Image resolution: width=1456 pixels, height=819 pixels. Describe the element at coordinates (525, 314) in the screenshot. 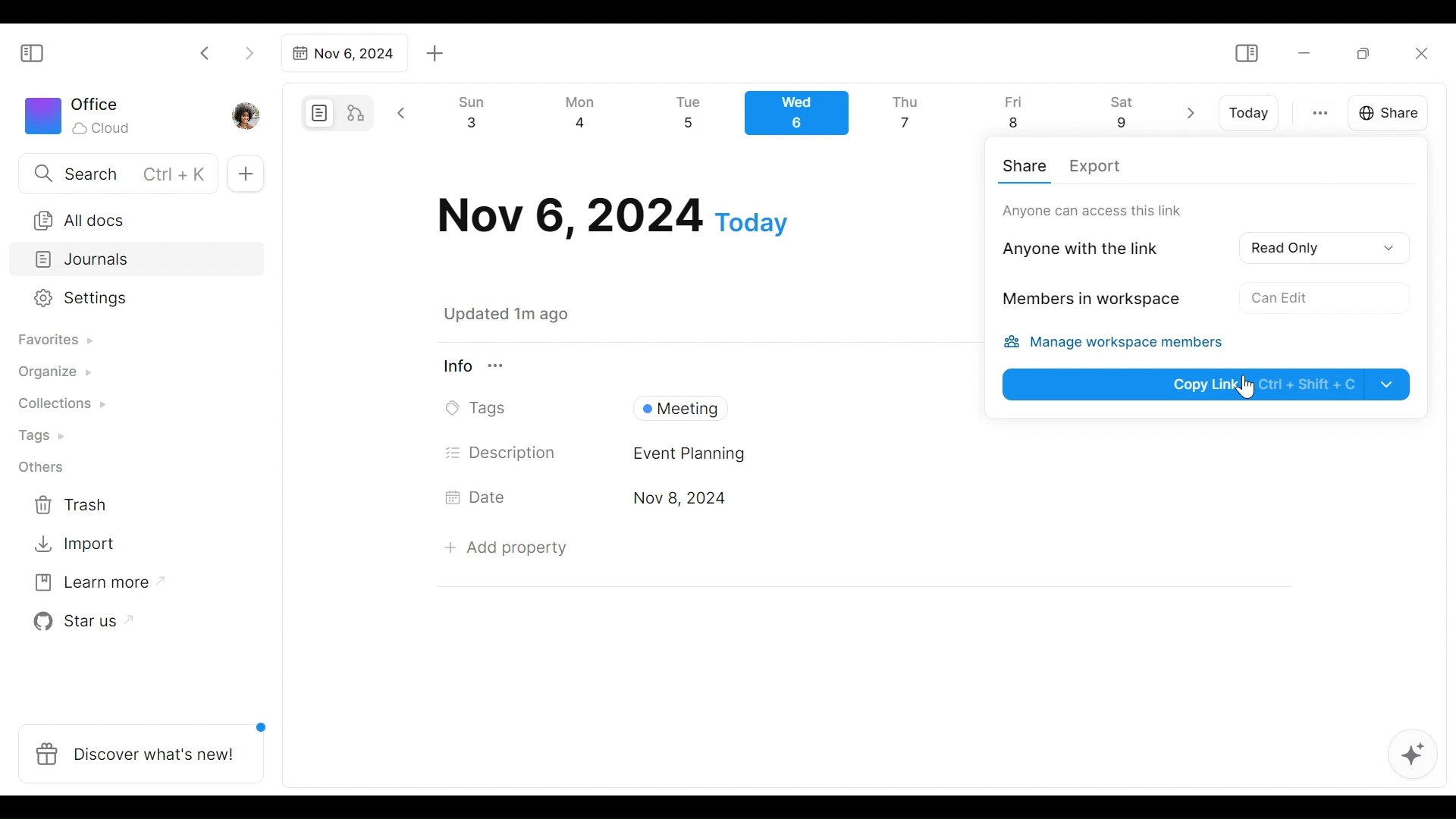

I see `Saved` at that location.